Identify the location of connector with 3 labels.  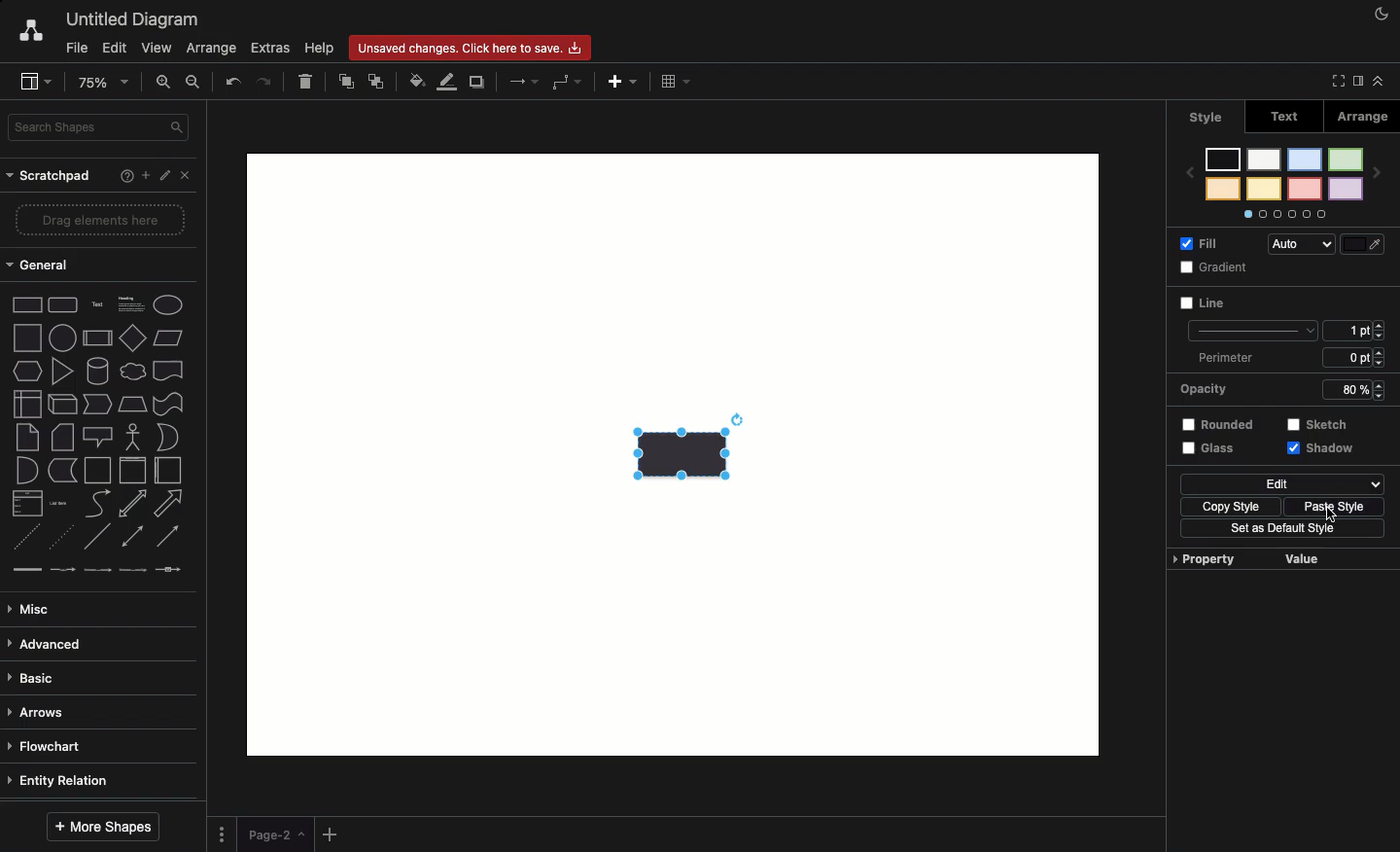
(132, 570).